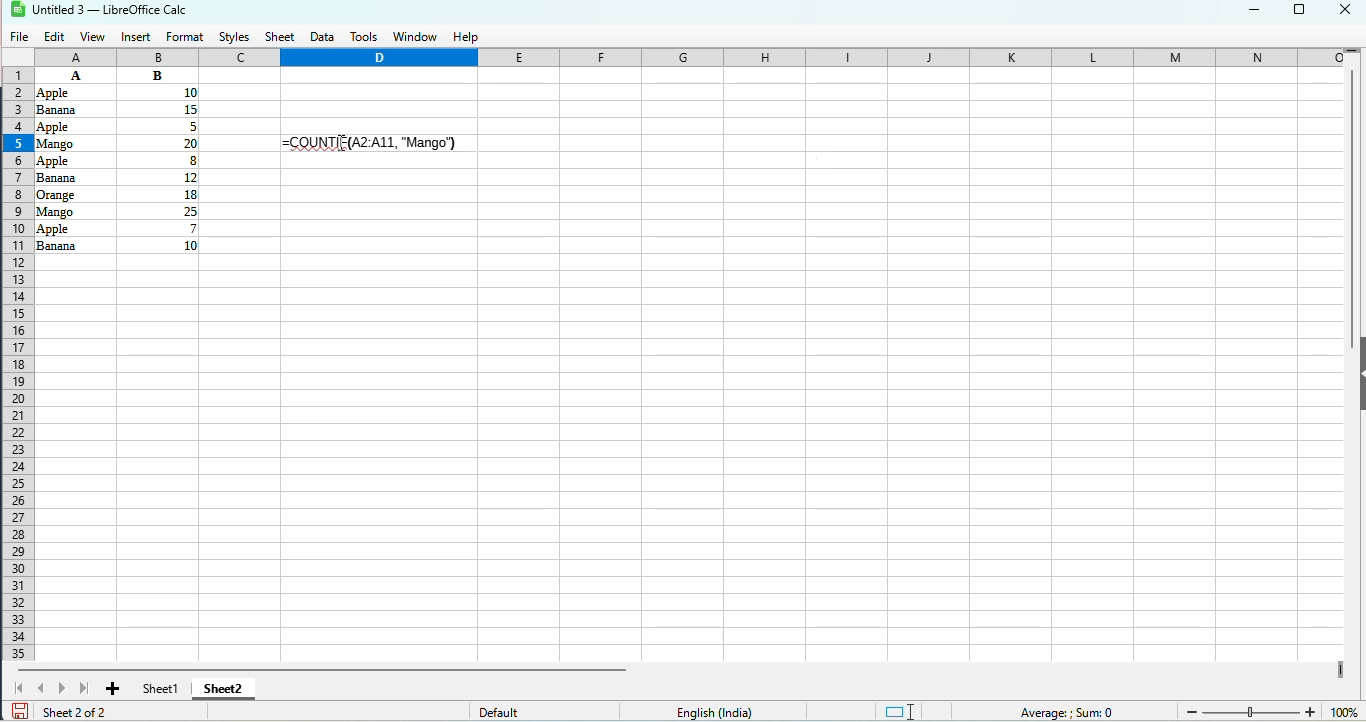 This screenshot has height=722, width=1366. What do you see at coordinates (161, 688) in the screenshot?
I see `sheet1` at bounding box center [161, 688].